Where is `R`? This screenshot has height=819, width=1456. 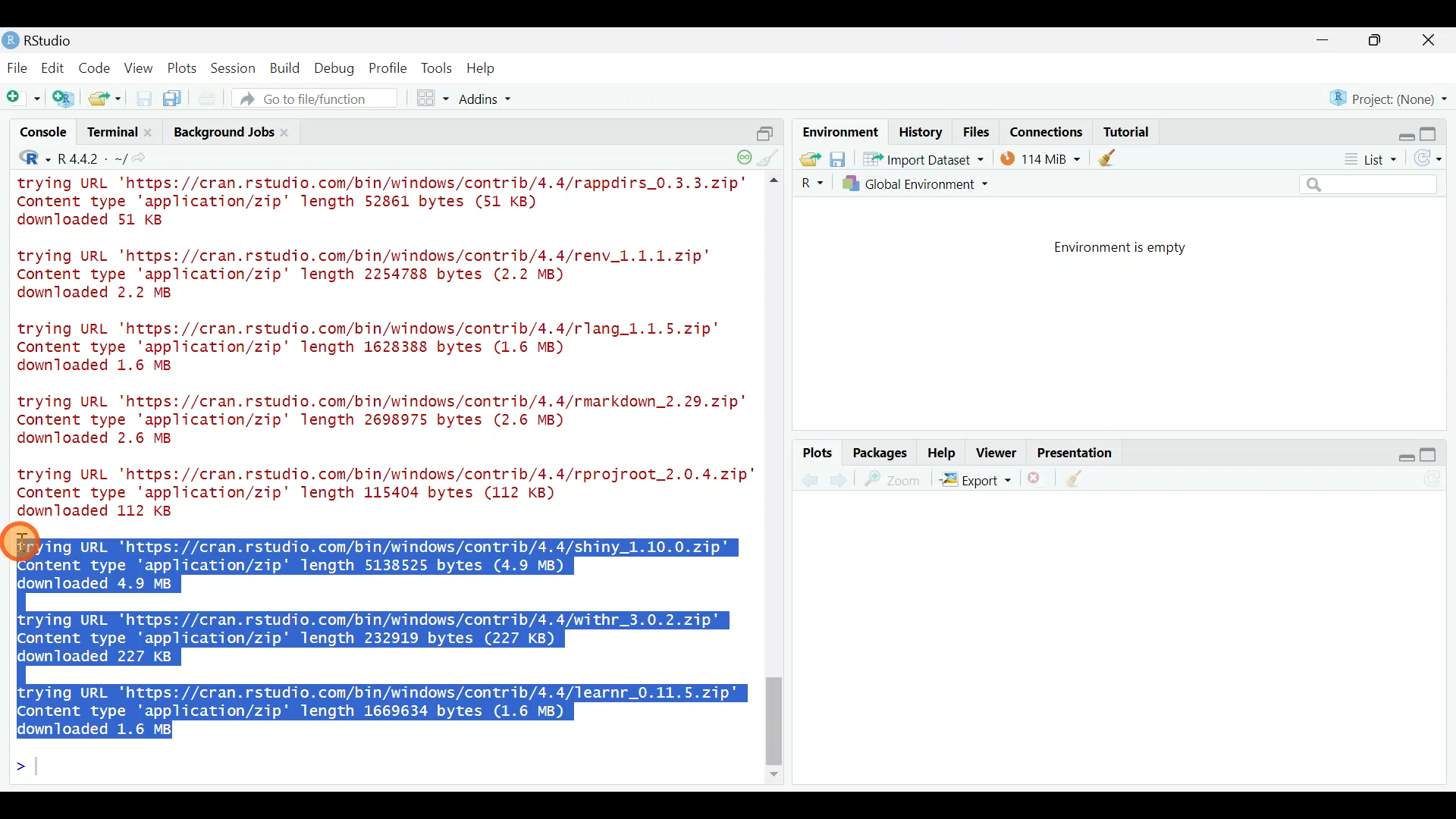 R is located at coordinates (810, 184).